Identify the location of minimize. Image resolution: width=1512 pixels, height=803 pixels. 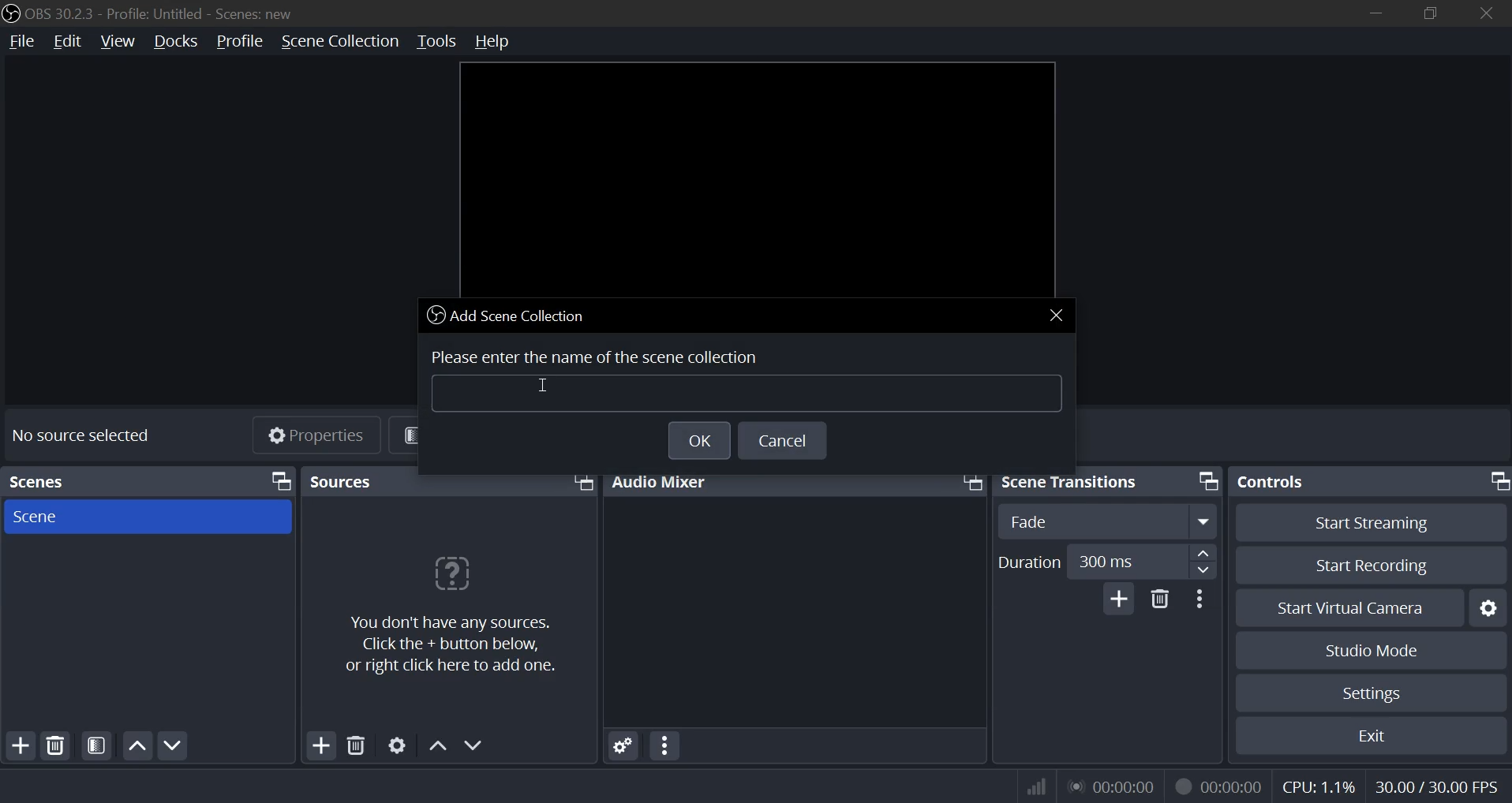
(1376, 11).